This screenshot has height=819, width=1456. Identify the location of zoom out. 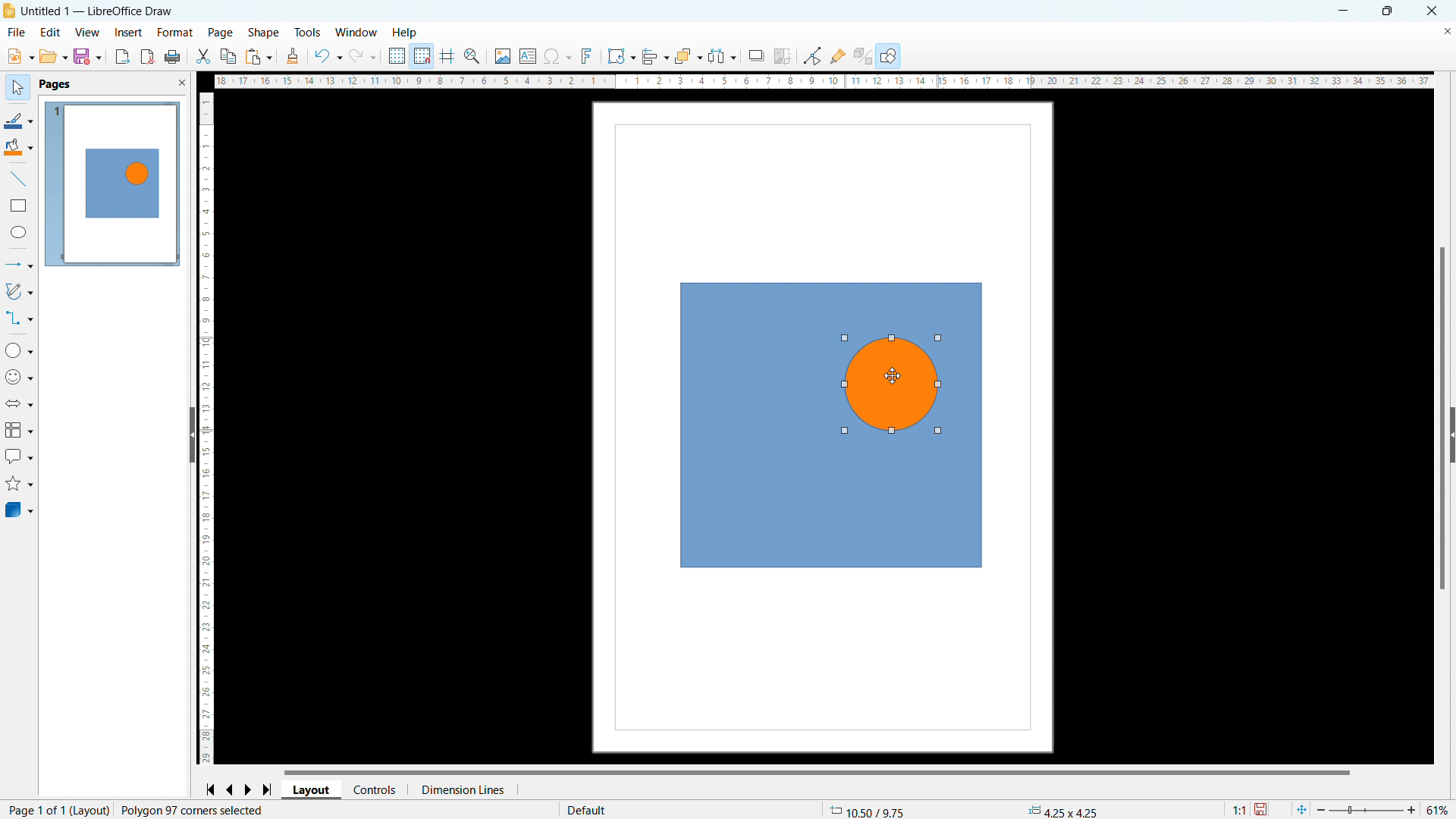
(1322, 809).